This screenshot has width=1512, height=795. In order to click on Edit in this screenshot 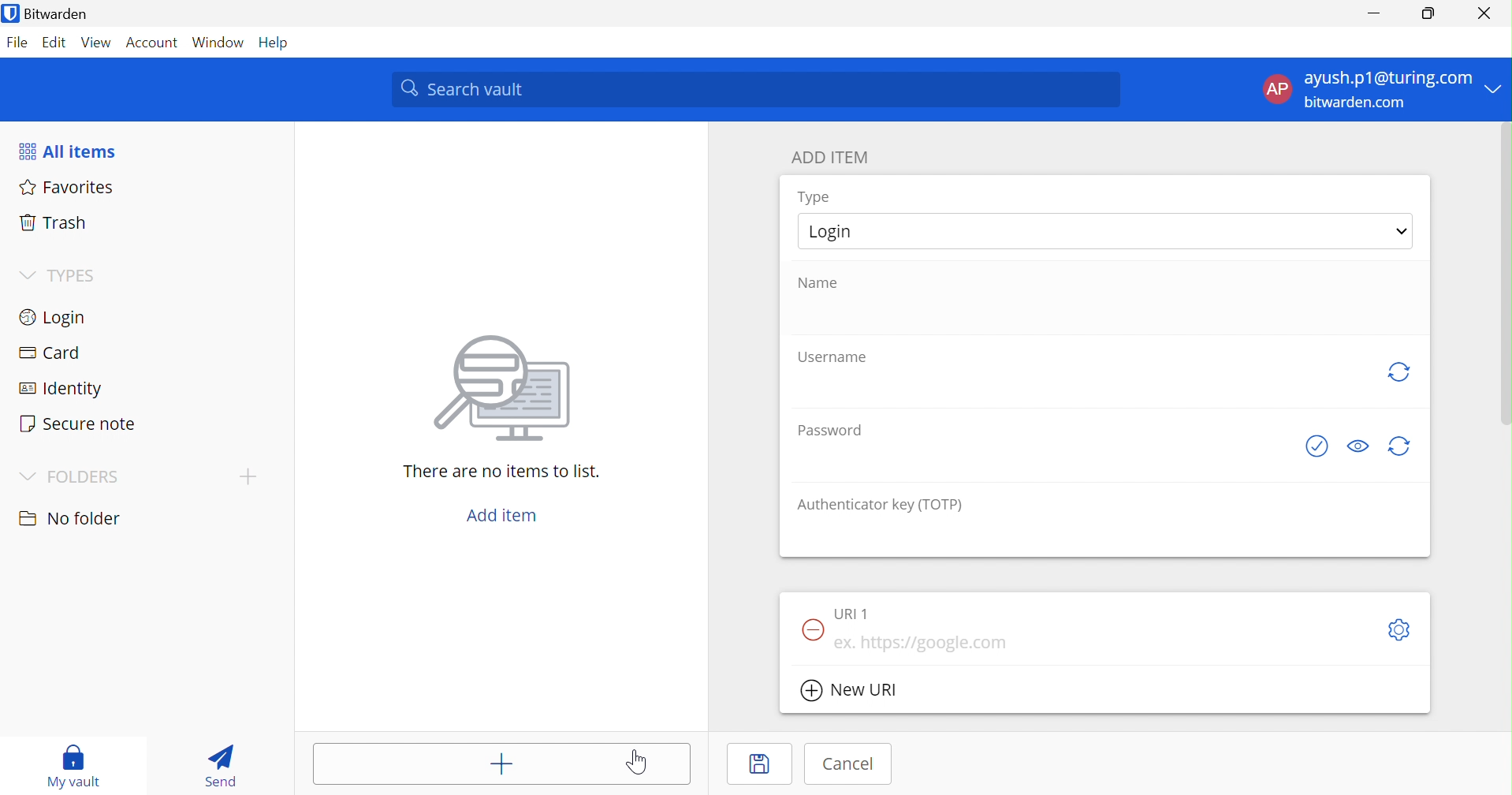, I will do `click(51, 42)`.